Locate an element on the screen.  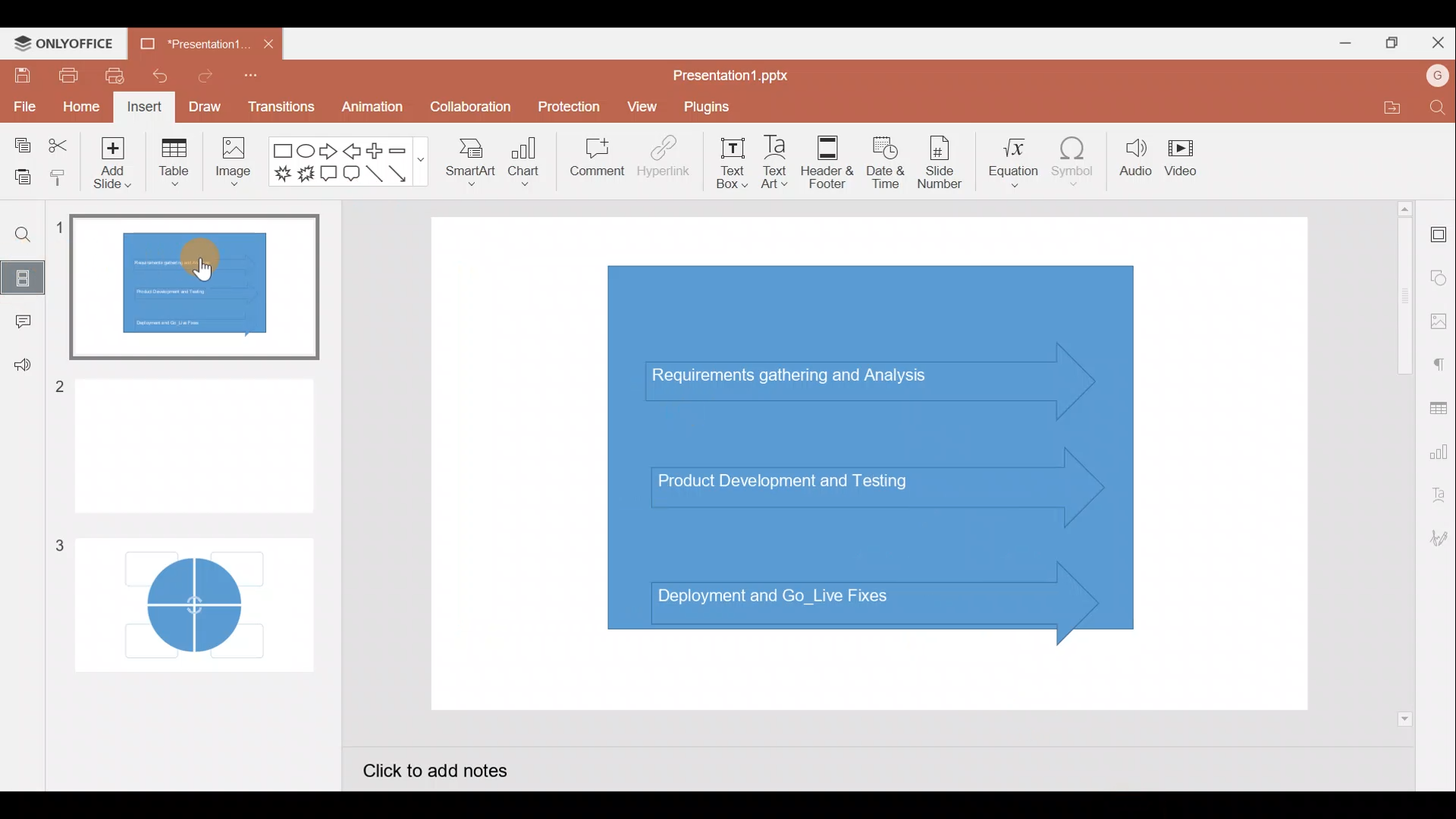
Protection is located at coordinates (566, 103).